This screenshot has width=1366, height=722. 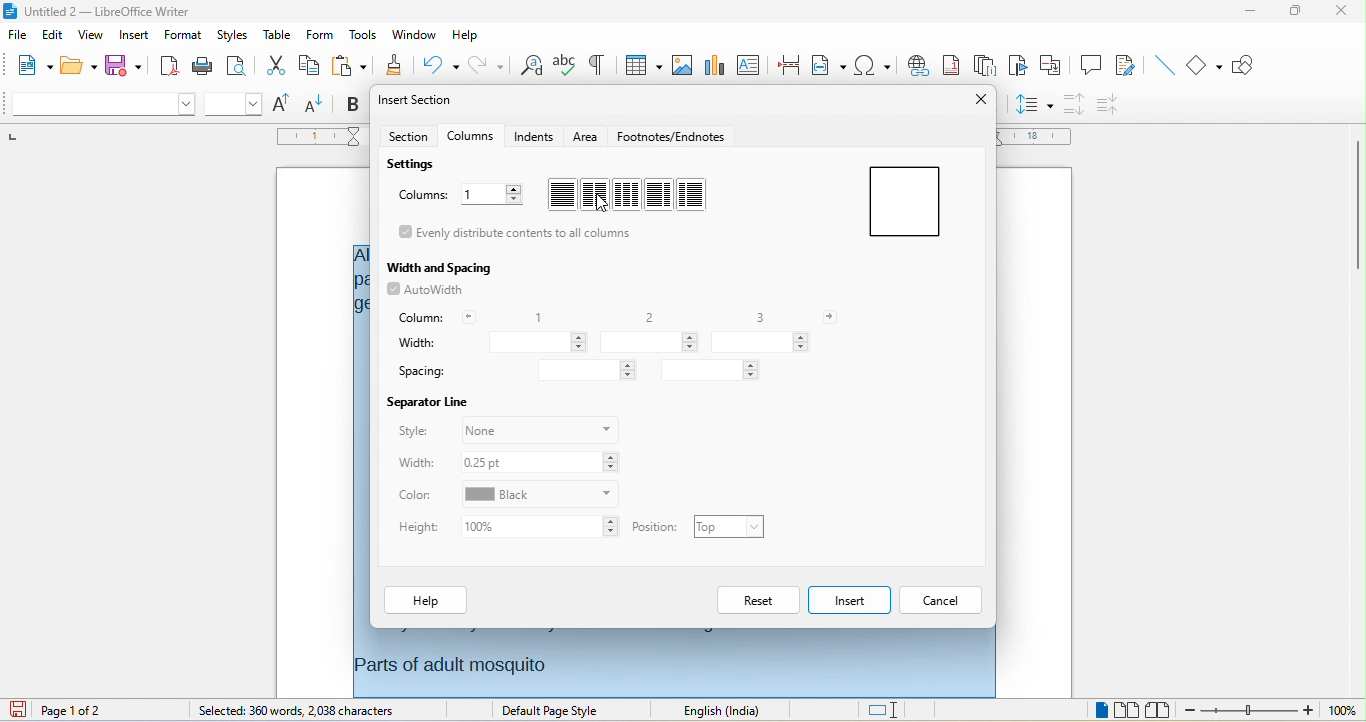 What do you see at coordinates (919, 66) in the screenshot?
I see `hyperlink` at bounding box center [919, 66].